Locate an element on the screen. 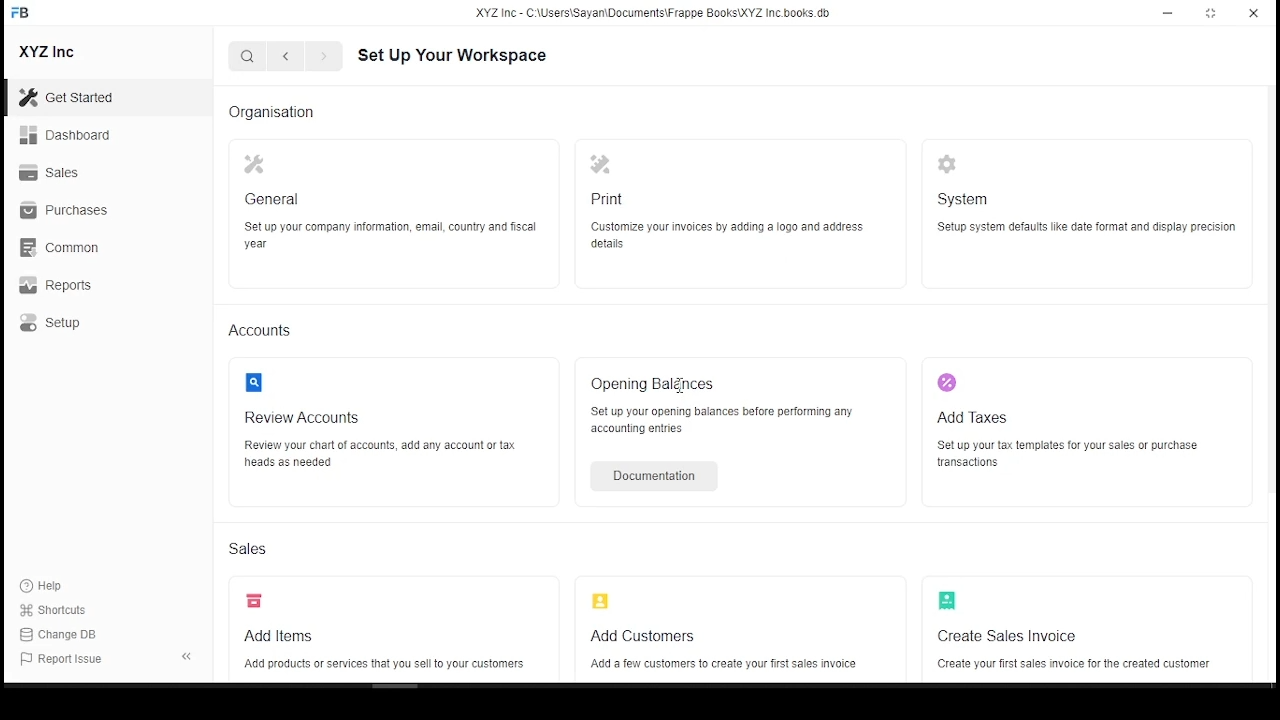  Dashboard is located at coordinates (68, 137).